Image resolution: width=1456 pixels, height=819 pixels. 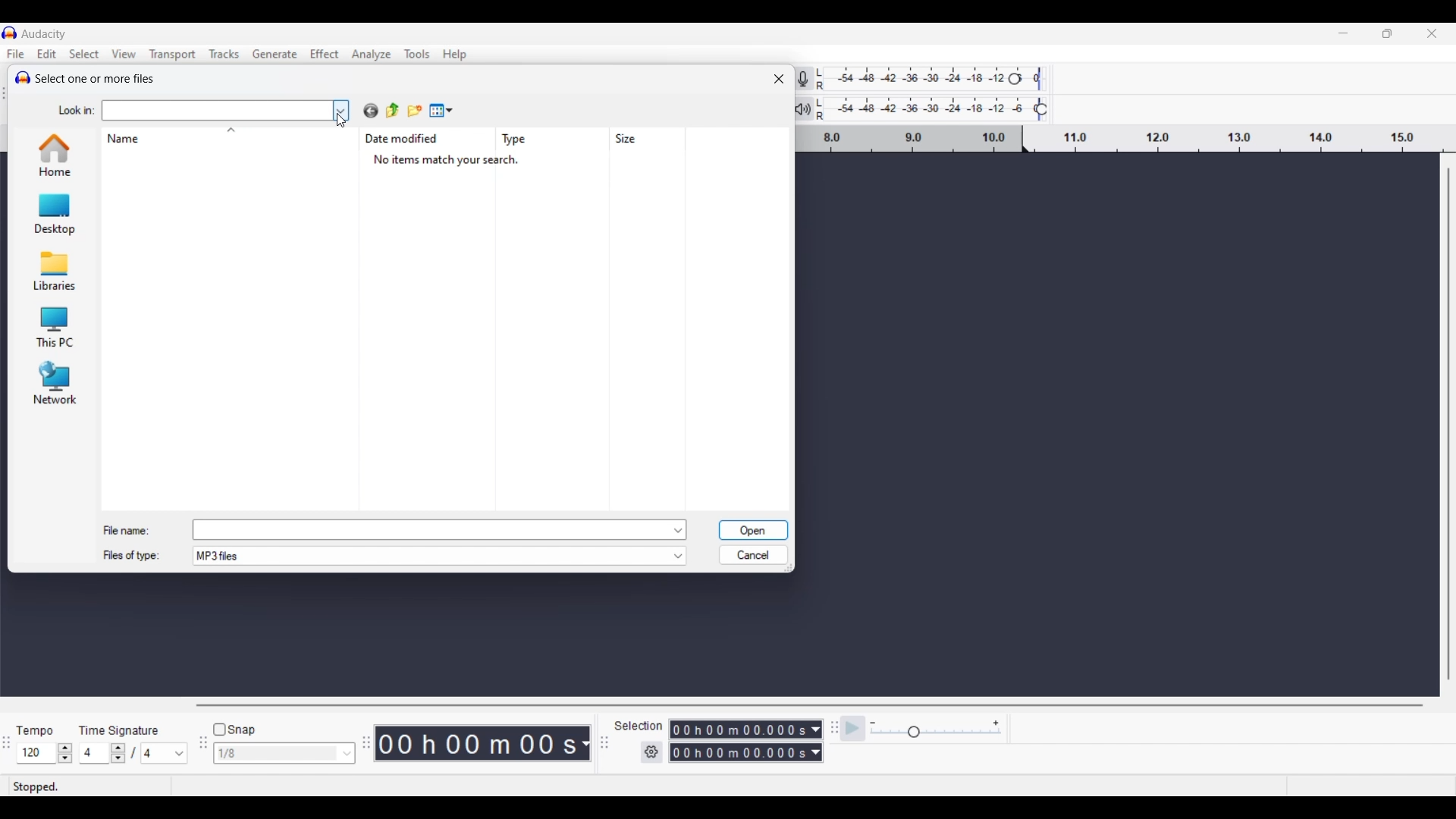 I want to click on Select one or more files, so click(x=98, y=80).